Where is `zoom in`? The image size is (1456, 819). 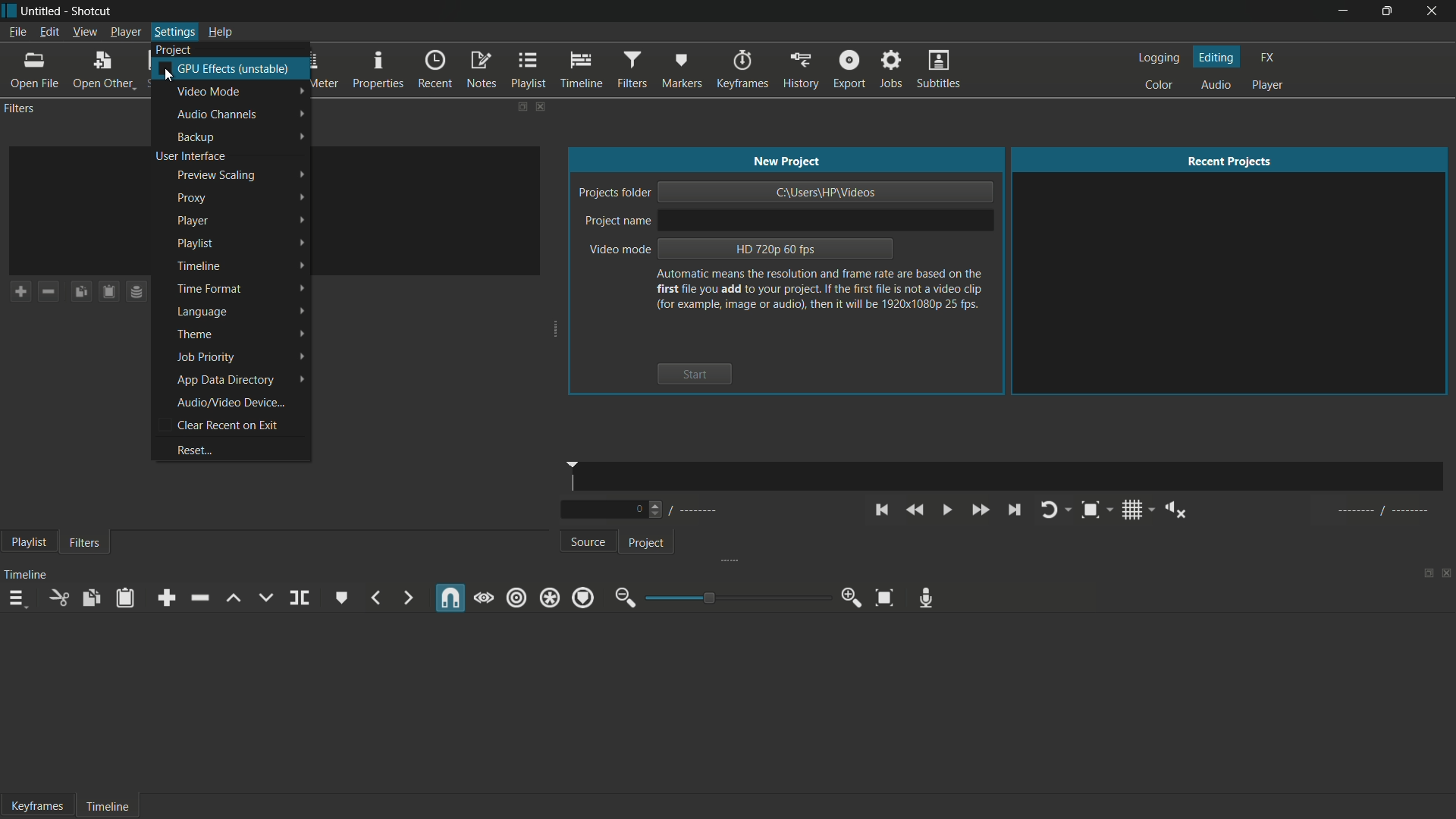
zoom in is located at coordinates (854, 598).